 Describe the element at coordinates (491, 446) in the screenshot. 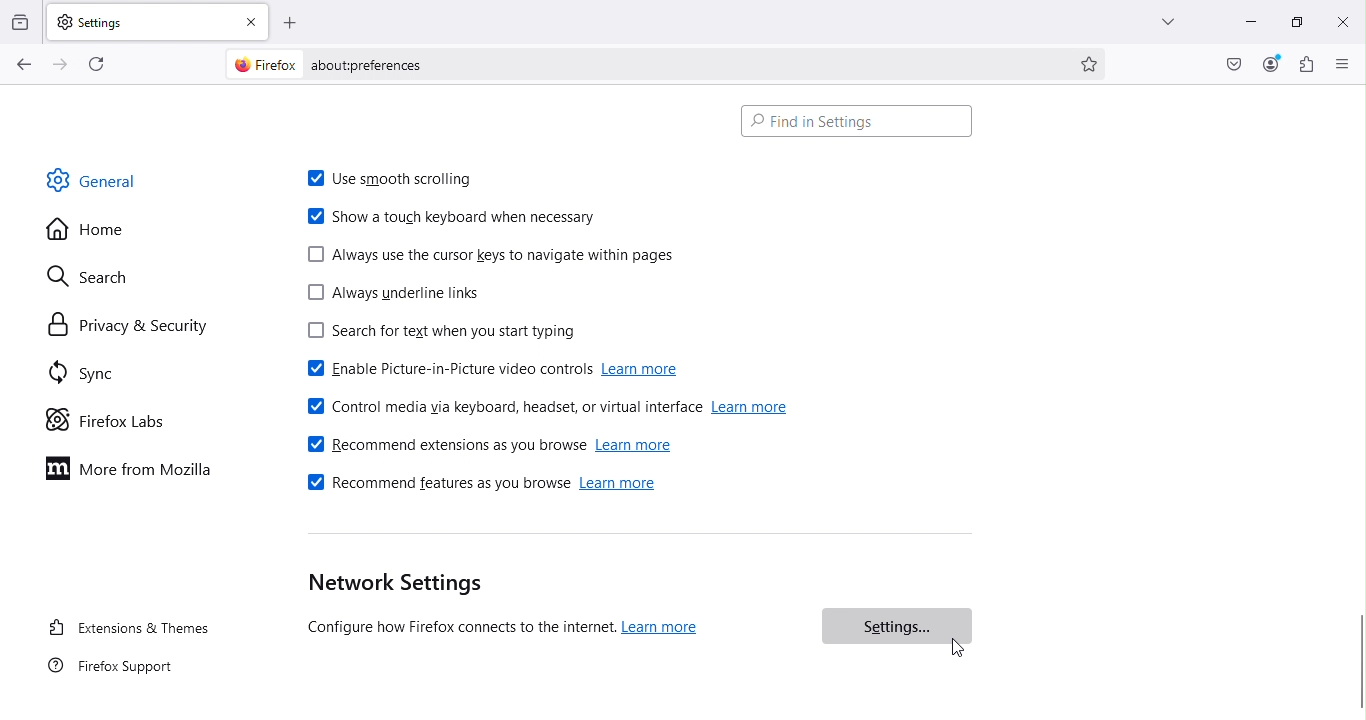

I see `Recommend extensions as you browse` at that location.